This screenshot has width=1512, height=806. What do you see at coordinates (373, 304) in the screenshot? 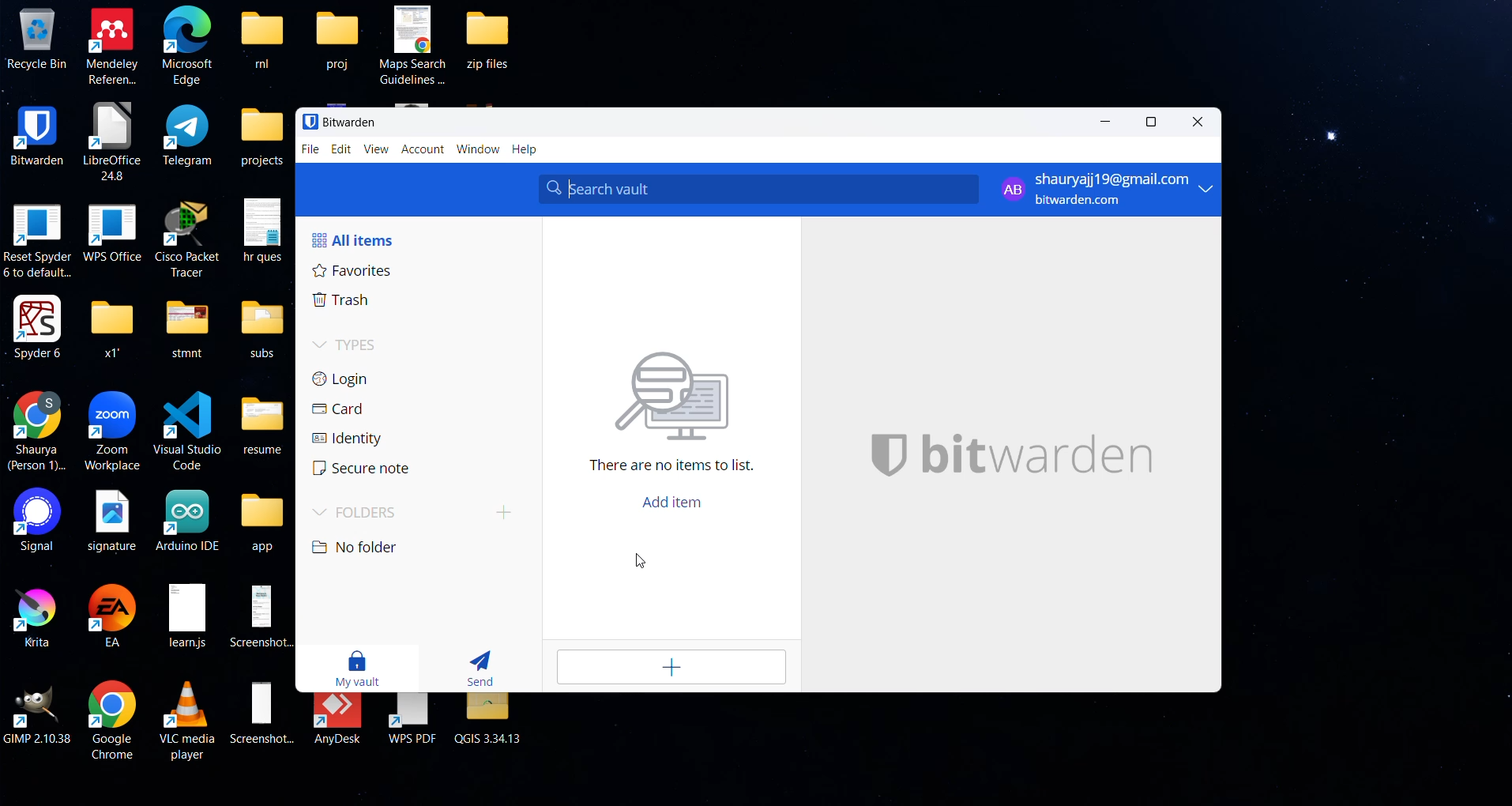
I see `trash` at bounding box center [373, 304].